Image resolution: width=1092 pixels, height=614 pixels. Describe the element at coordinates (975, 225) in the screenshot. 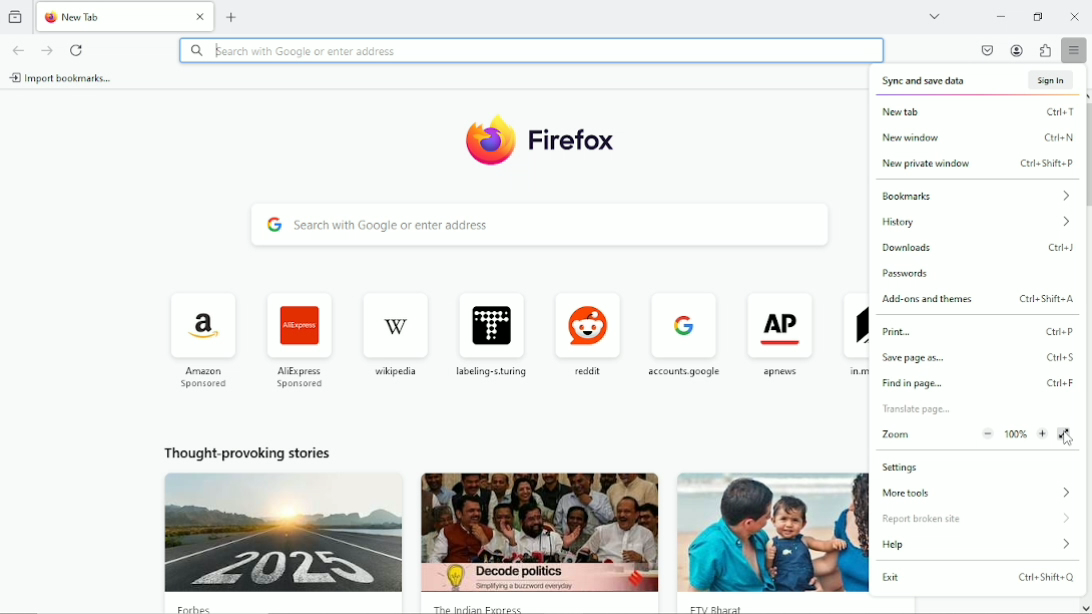

I see `history` at that location.